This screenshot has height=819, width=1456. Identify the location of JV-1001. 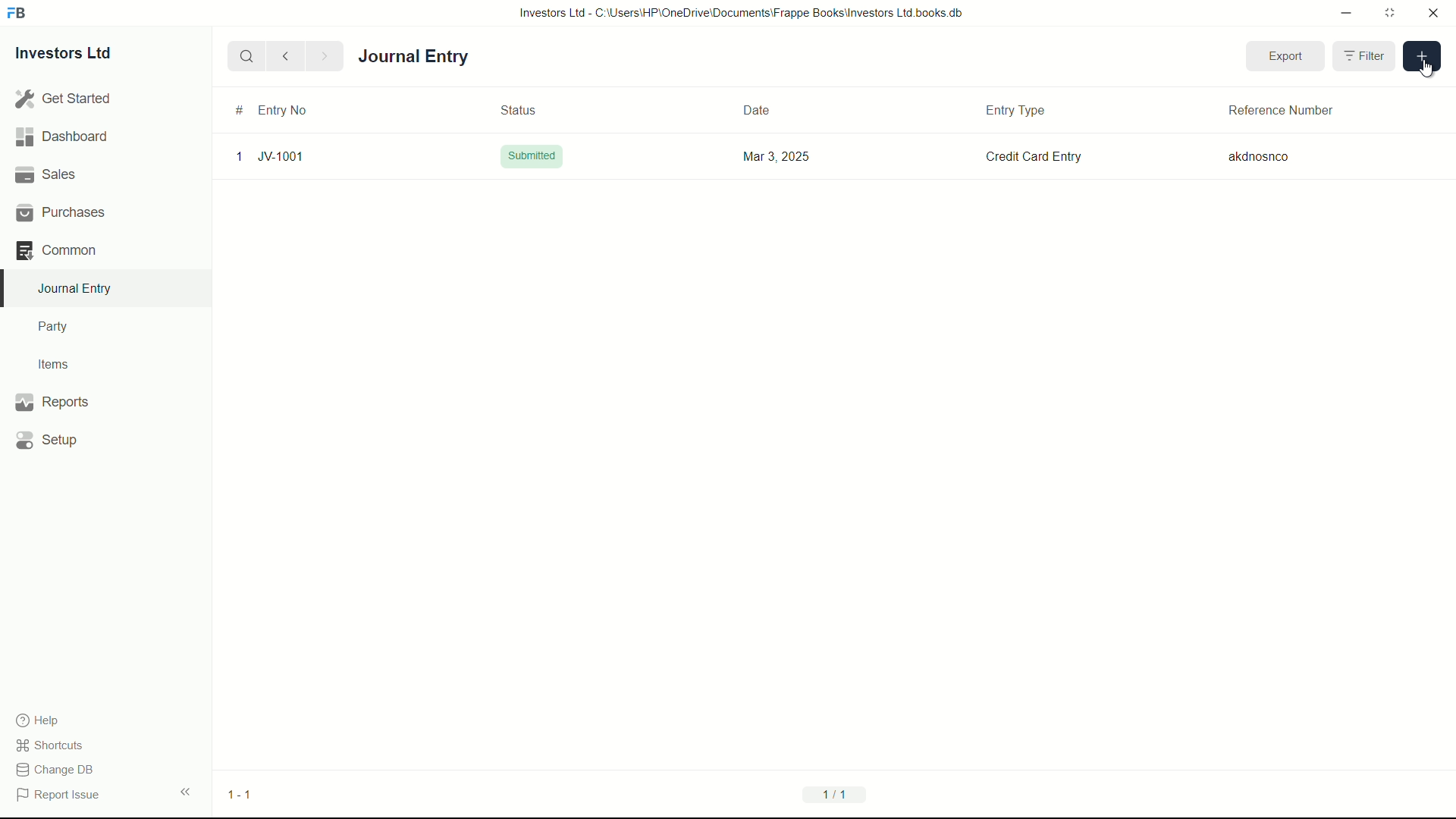
(281, 158).